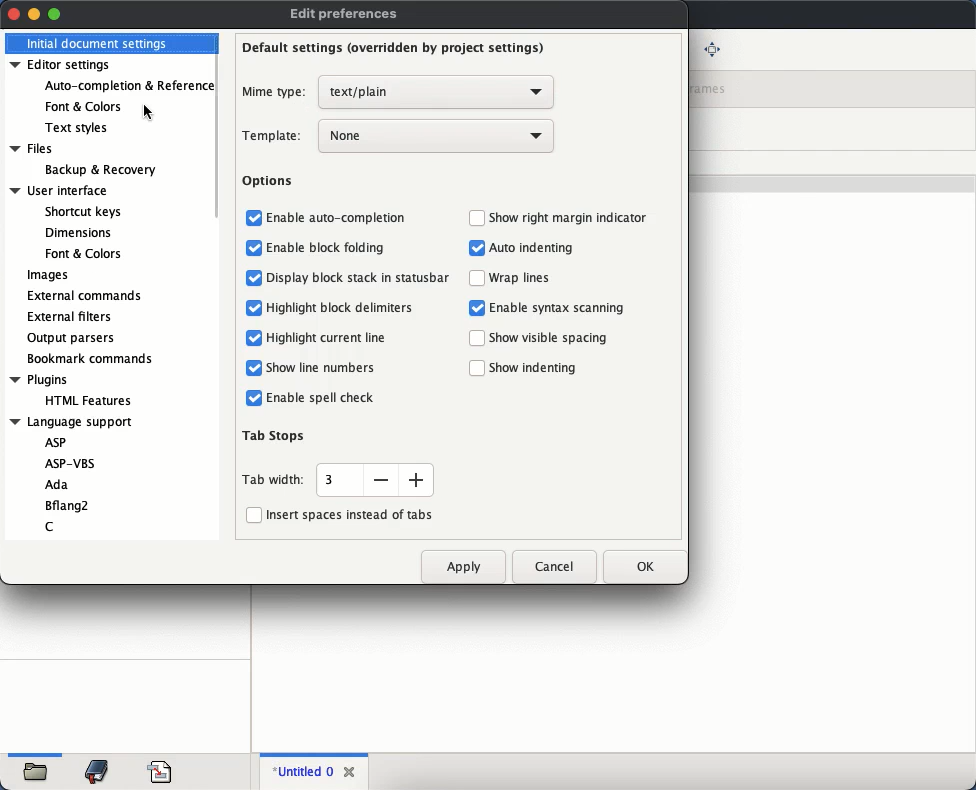  What do you see at coordinates (55, 15) in the screenshot?
I see `maximize` at bounding box center [55, 15].